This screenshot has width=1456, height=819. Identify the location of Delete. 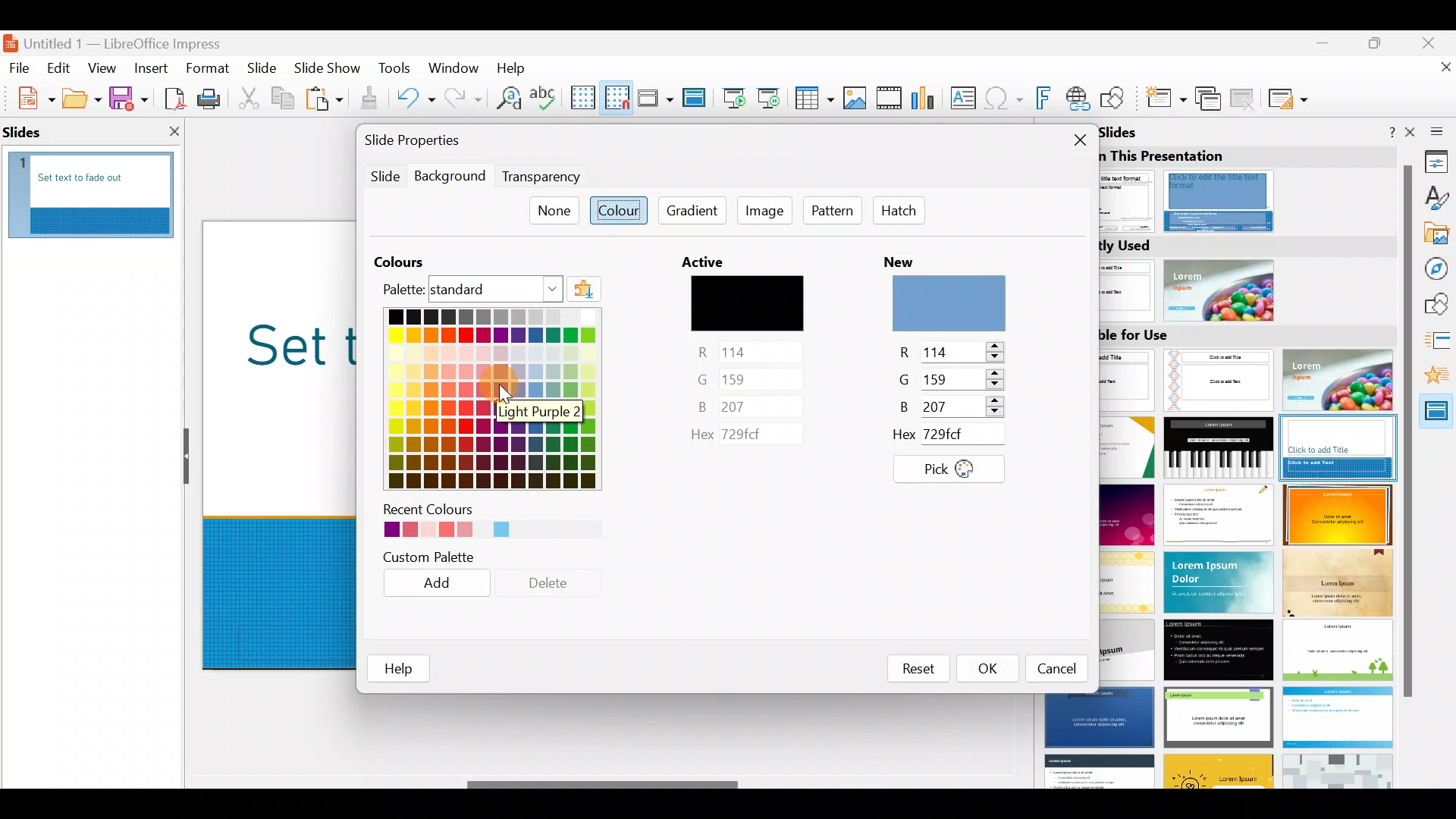
(554, 588).